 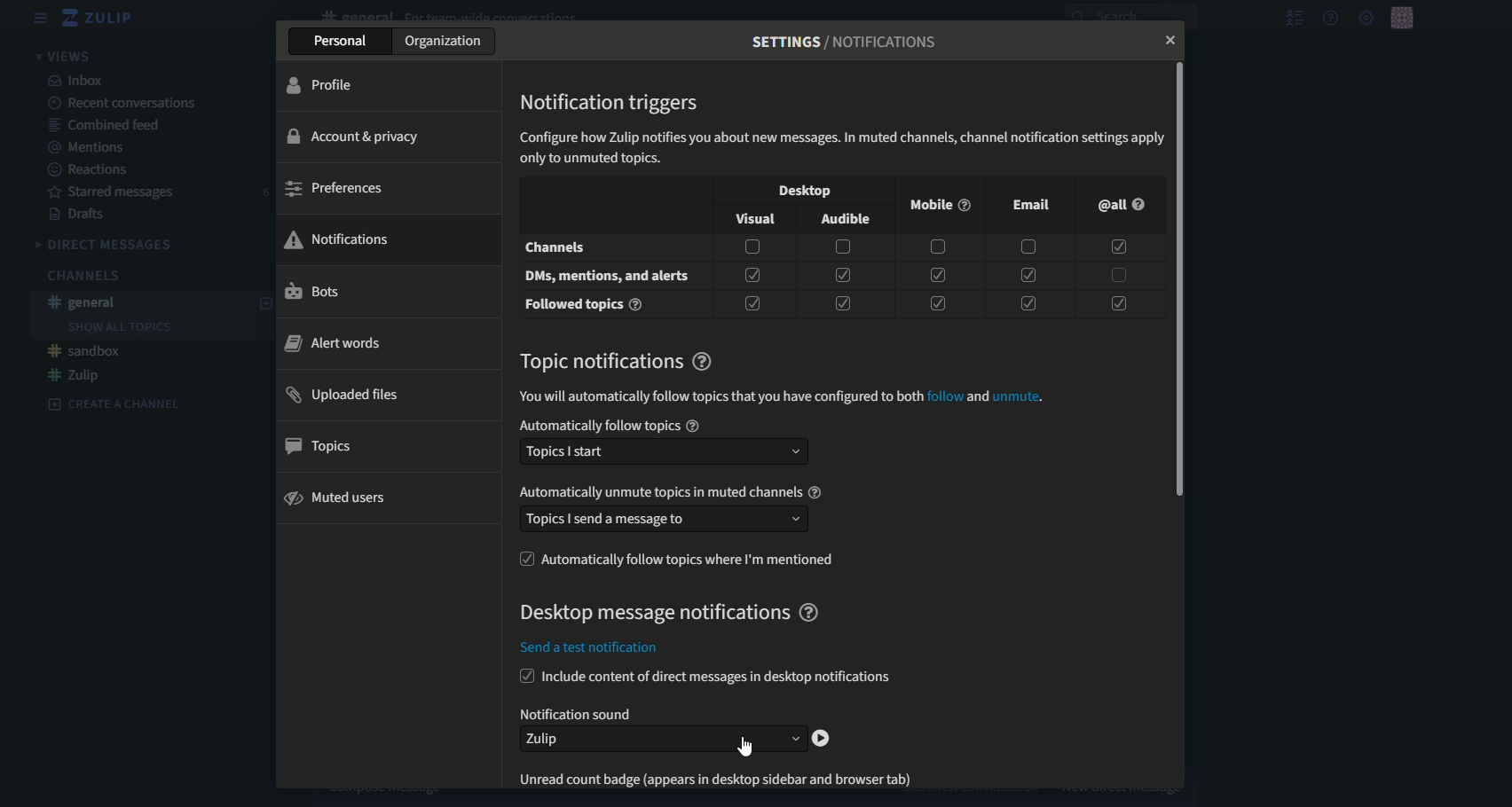 What do you see at coordinates (338, 498) in the screenshot?
I see `muted users` at bounding box center [338, 498].